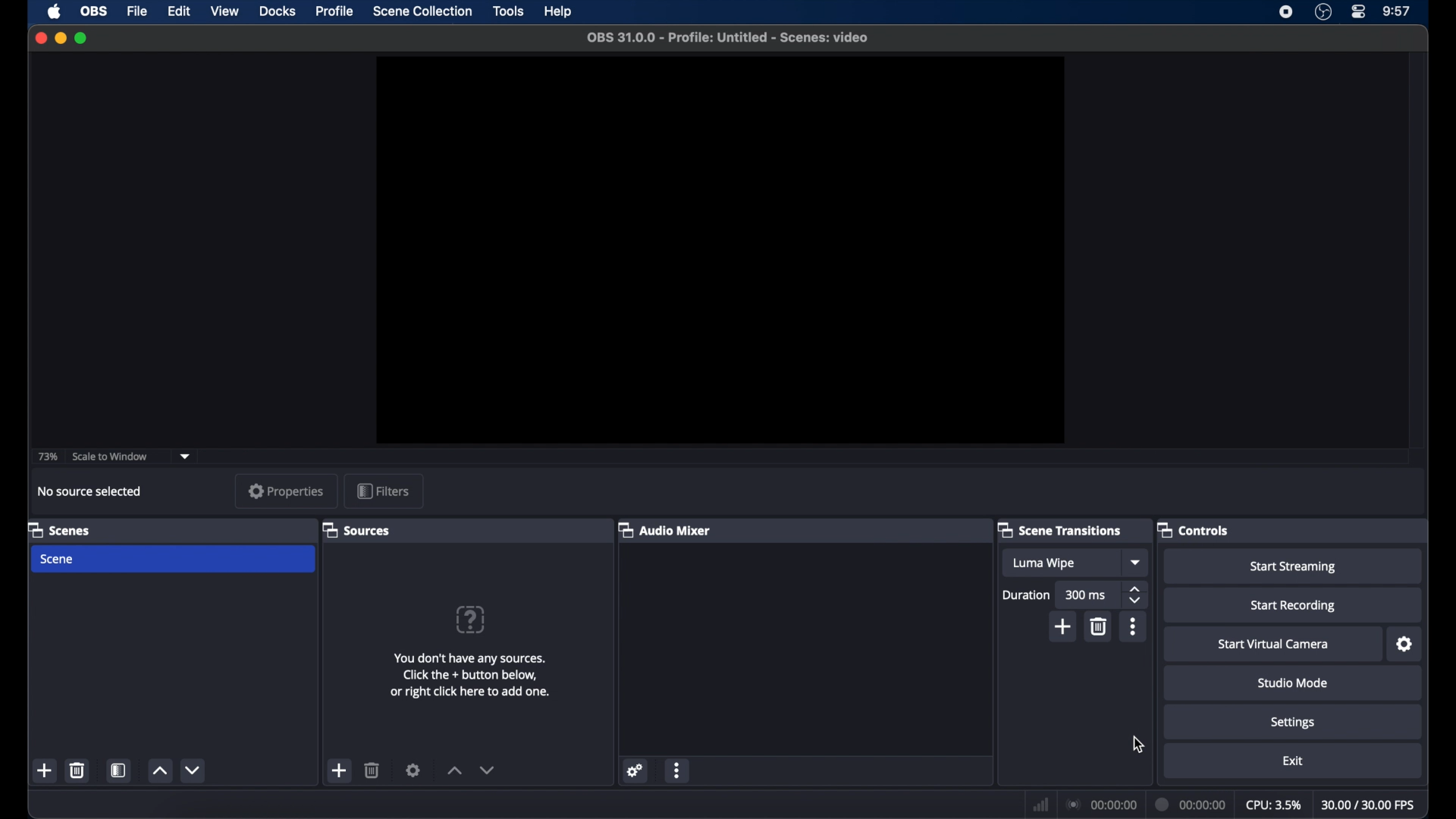 The height and width of the screenshot is (819, 1456). I want to click on properties, so click(287, 491).